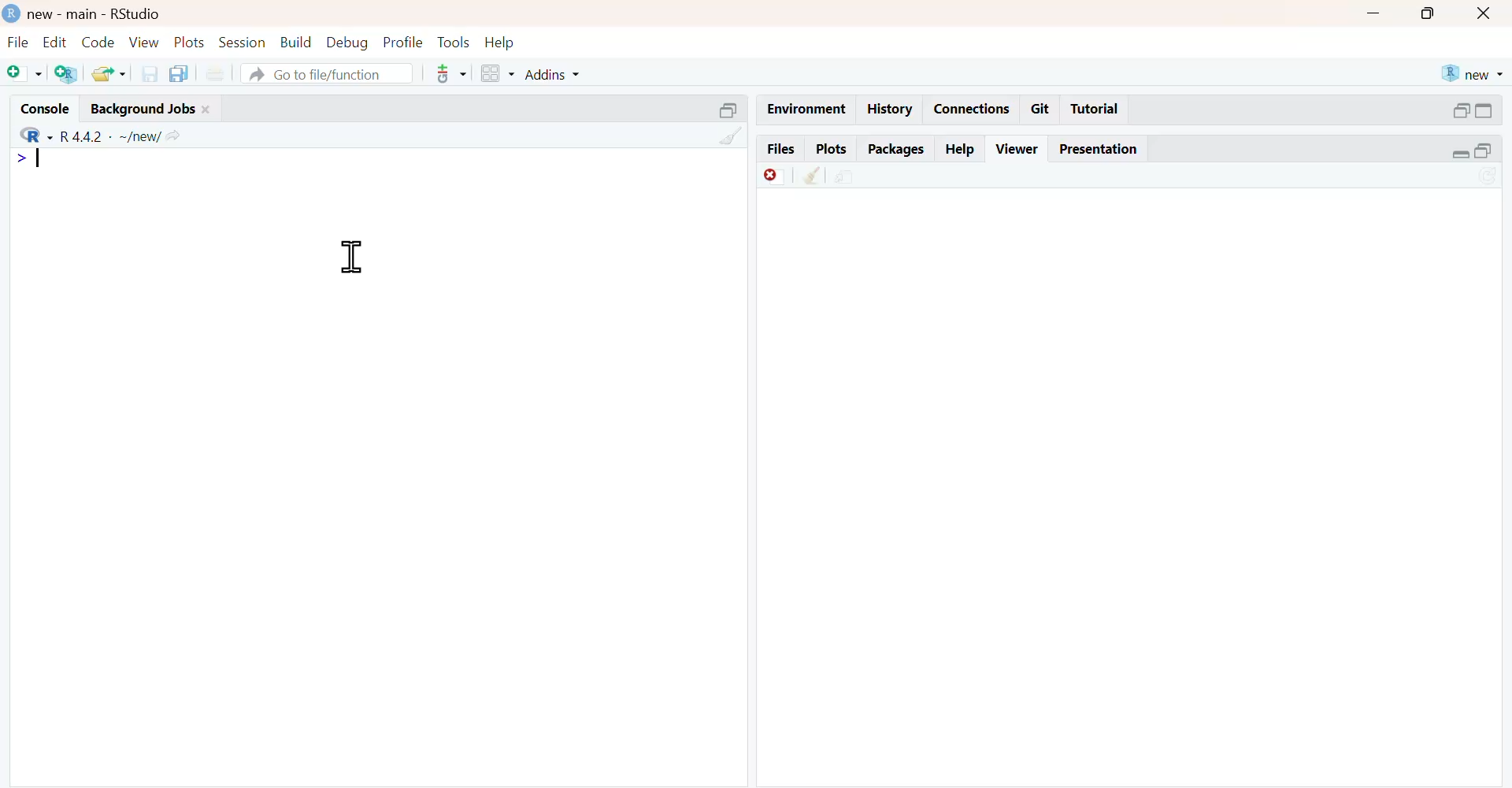 This screenshot has height=788, width=1512. Describe the element at coordinates (1094, 110) in the screenshot. I see `tutorial` at that location.